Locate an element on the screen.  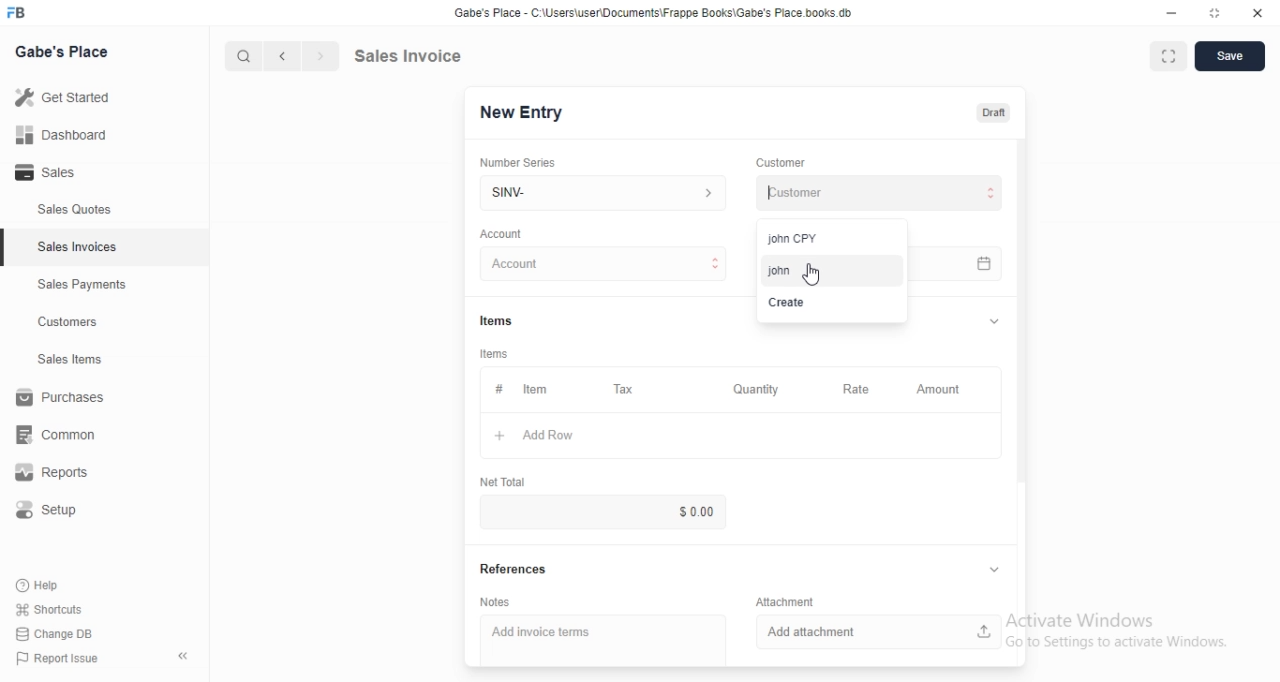
Account is located at coordinates (607, 264).